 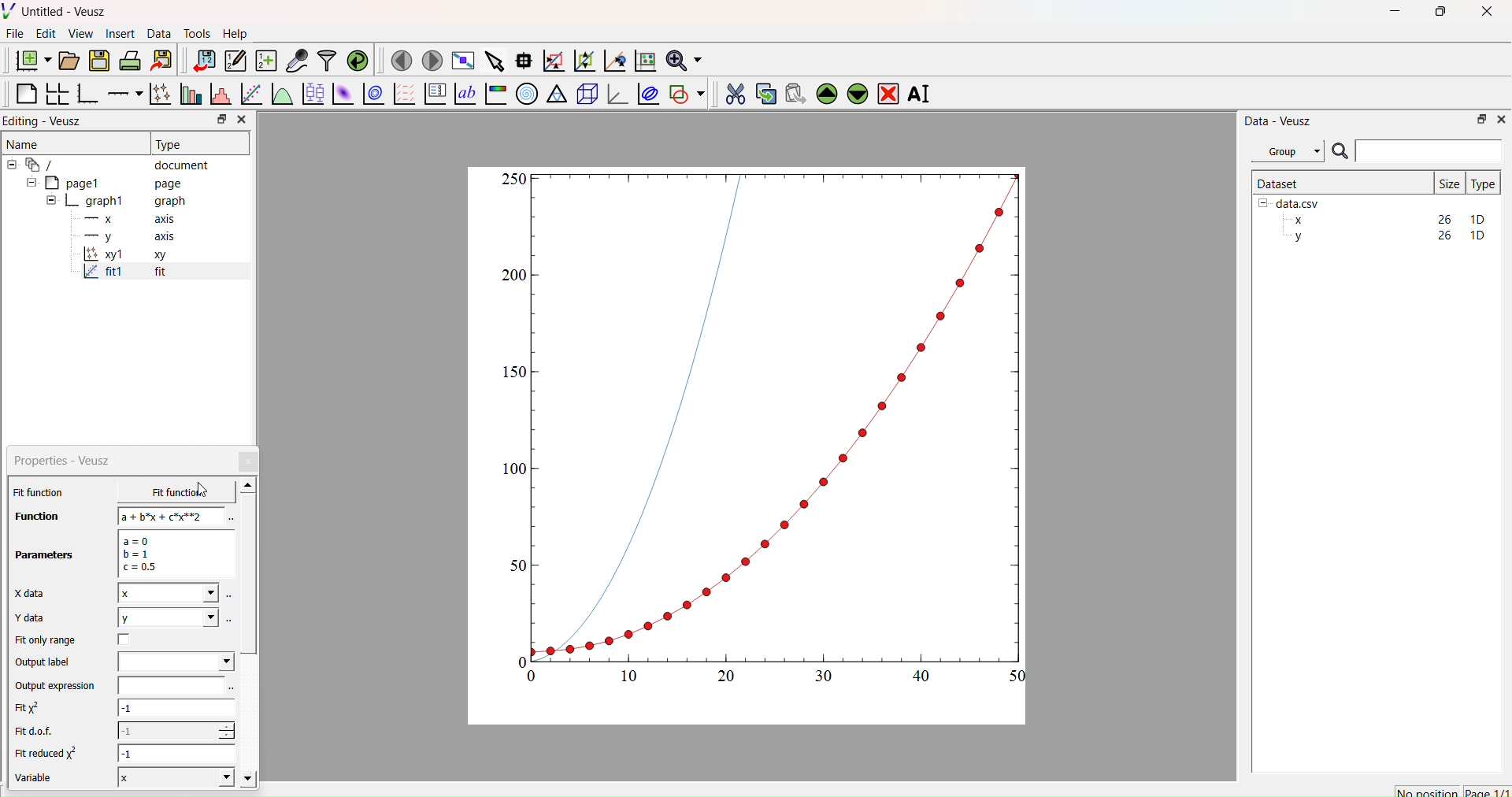 I want to click on Copy, so click(x=762, y=92).